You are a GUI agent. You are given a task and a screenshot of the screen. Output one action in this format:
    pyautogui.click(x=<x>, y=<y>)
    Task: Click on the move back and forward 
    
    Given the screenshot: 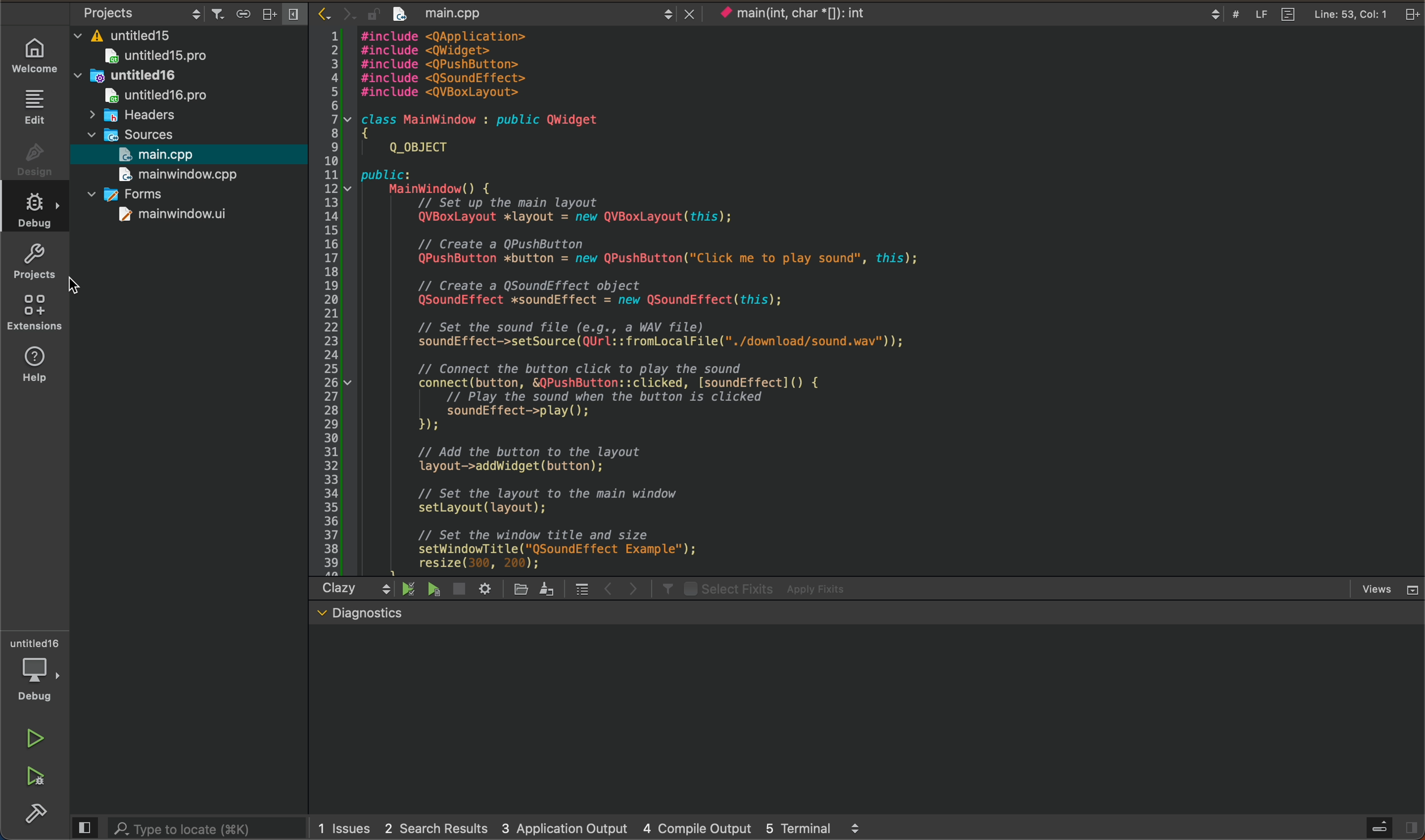 What is the action you would take?
    pyautogui.click(x=618, y=588)
    